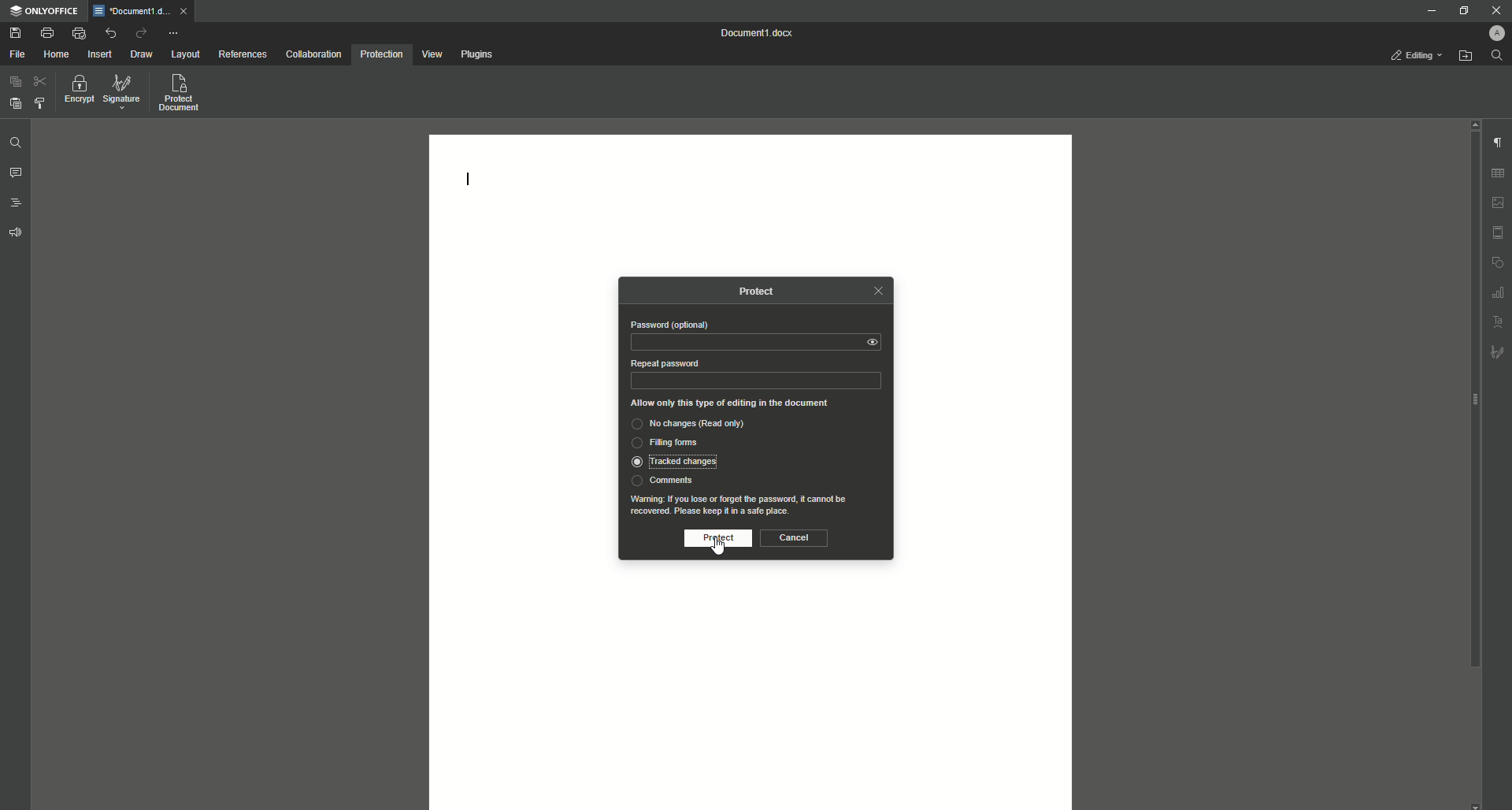  Describe the element at coordinates (175, 32) in the screenshot. I see `More Options` at that location.